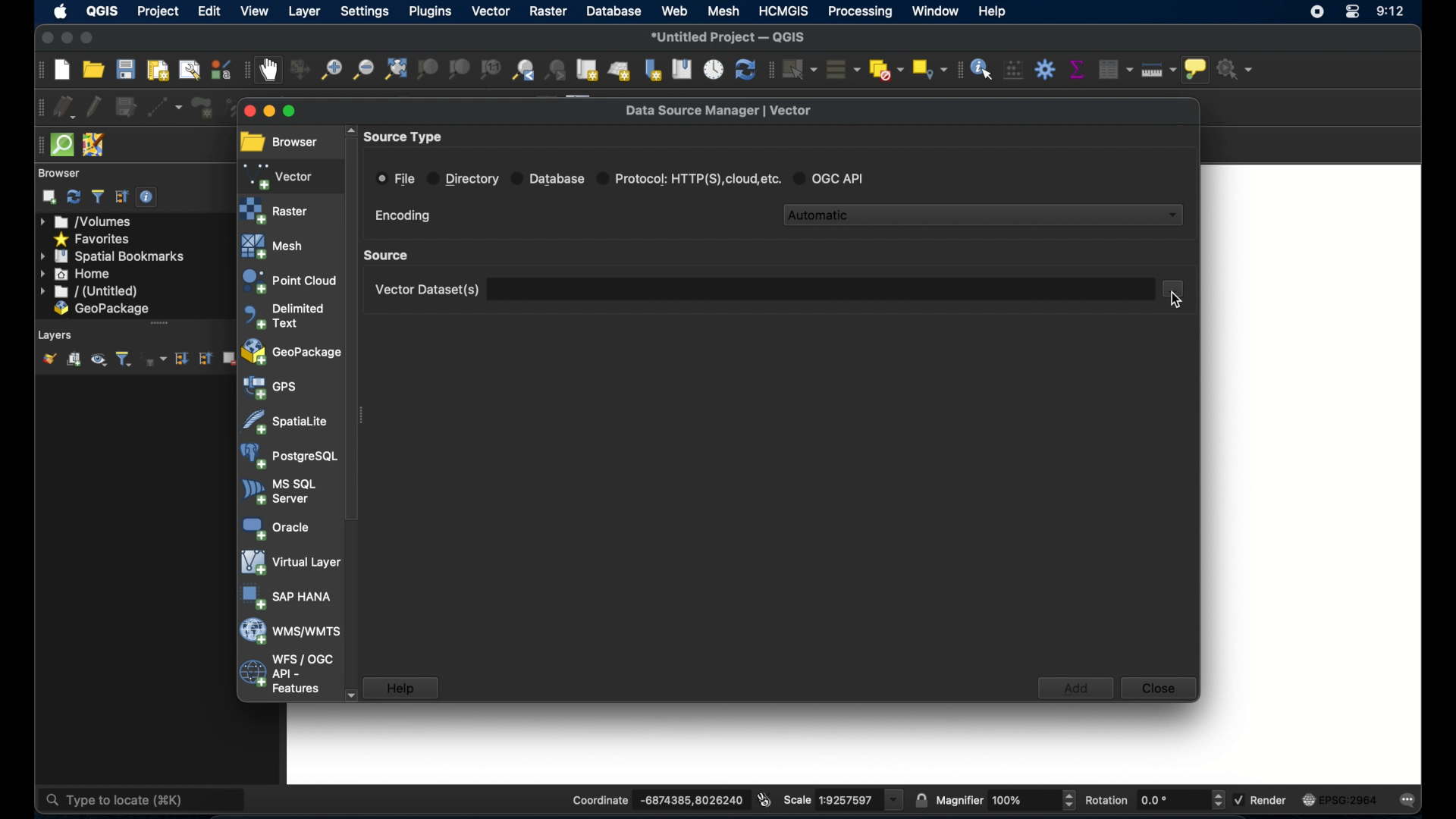  Describe the element at coordinates (274, 527) in the screenshot. I see `oracle` at that location.